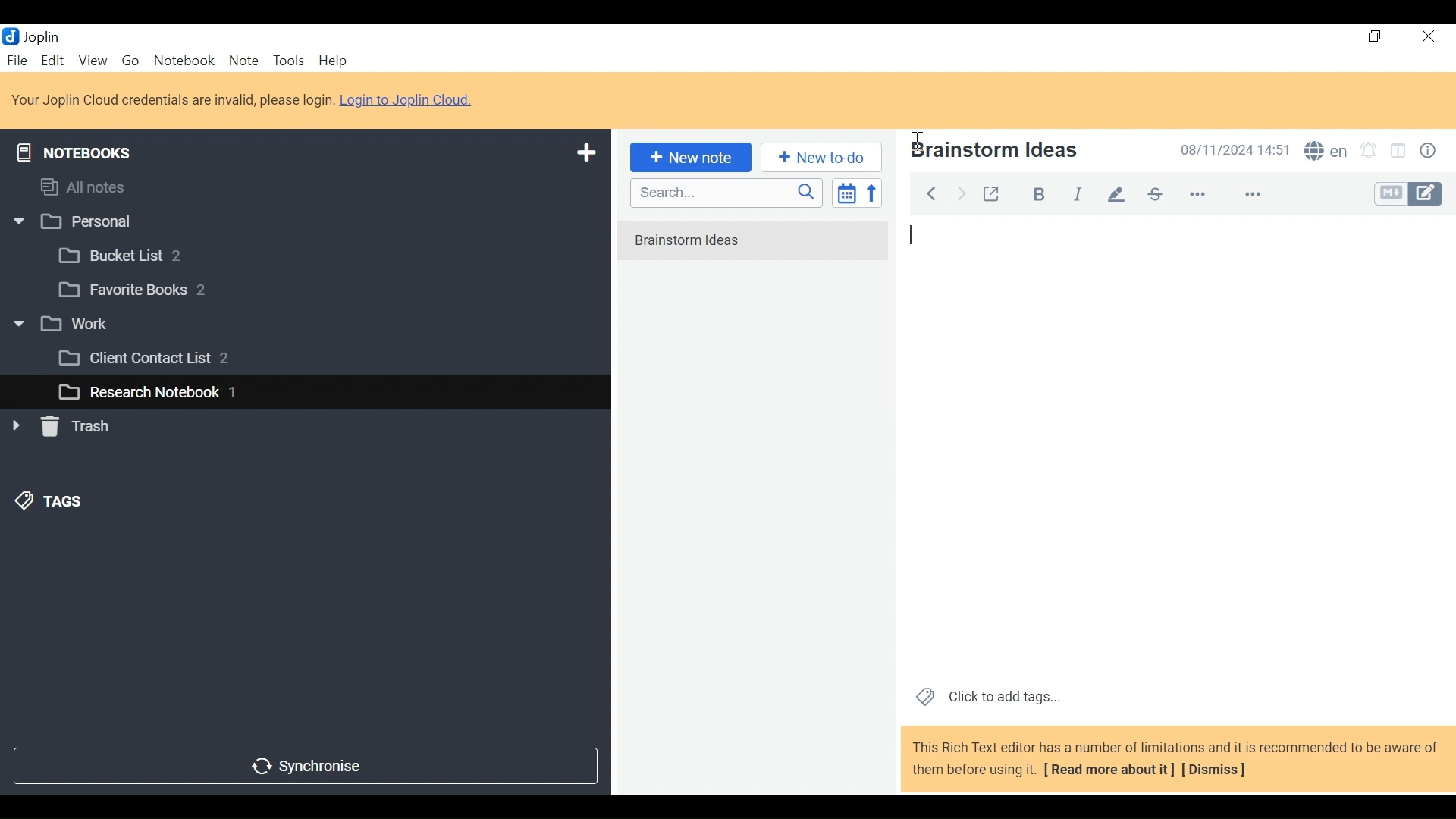 The image size is (1456, 819). Describe the element at coordinates (1410, 194) in the screenshot. I see `Toggle Editor` at that location.